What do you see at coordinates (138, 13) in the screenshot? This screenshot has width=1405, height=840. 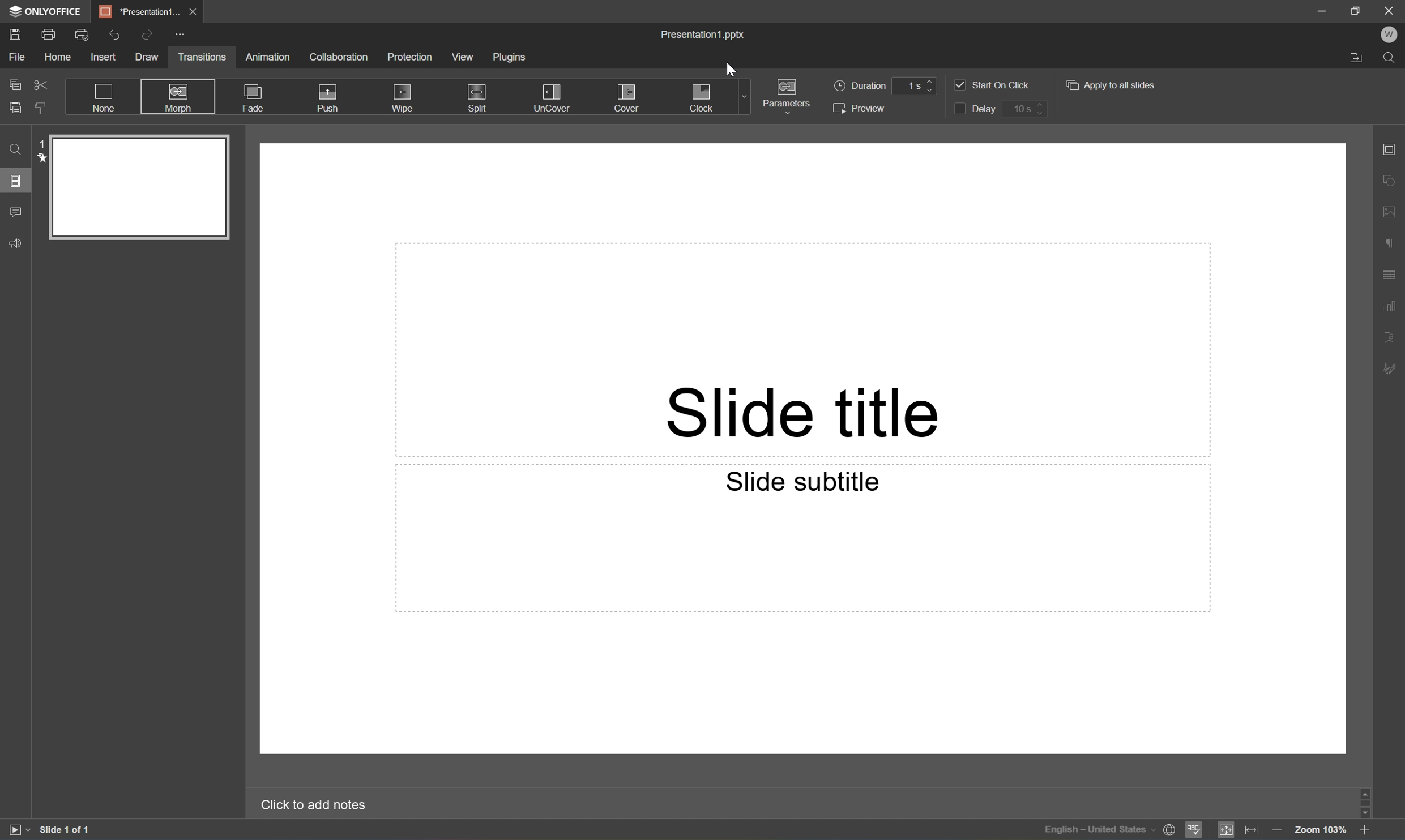 I see `*Presentation1...` at bounding box center [138, 13].